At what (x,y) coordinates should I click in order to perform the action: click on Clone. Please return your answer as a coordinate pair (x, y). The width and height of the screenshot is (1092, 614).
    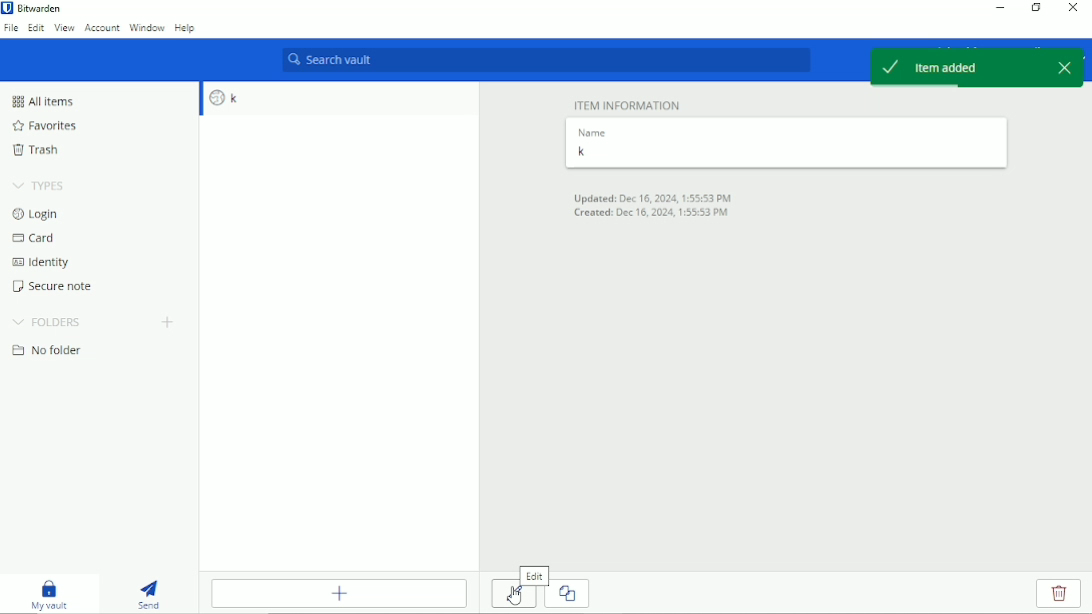
    Looking at the image, I should click on (570, 593).